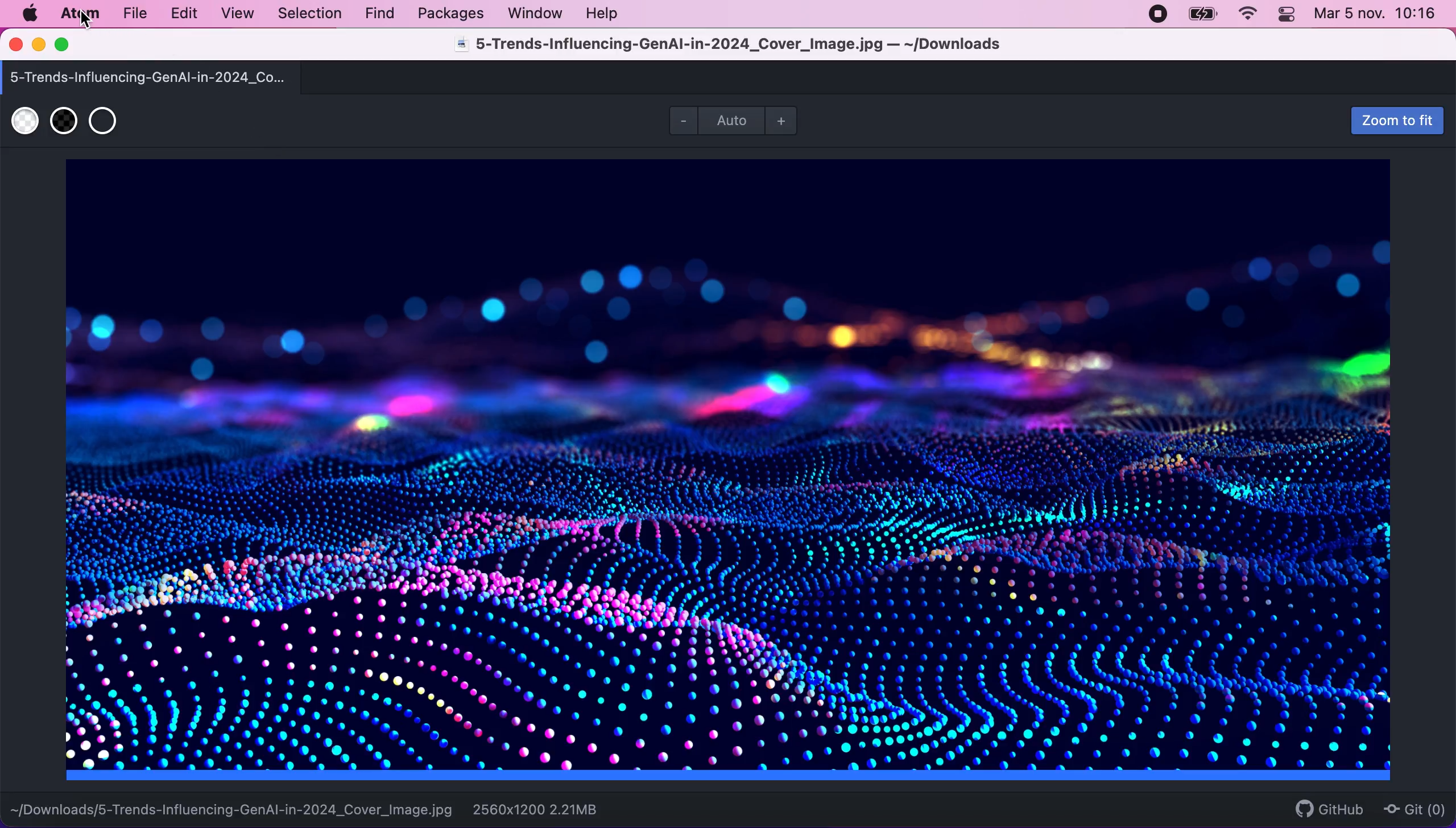 The image size is (1456, 828). I want to click on window, so click(536, 13).